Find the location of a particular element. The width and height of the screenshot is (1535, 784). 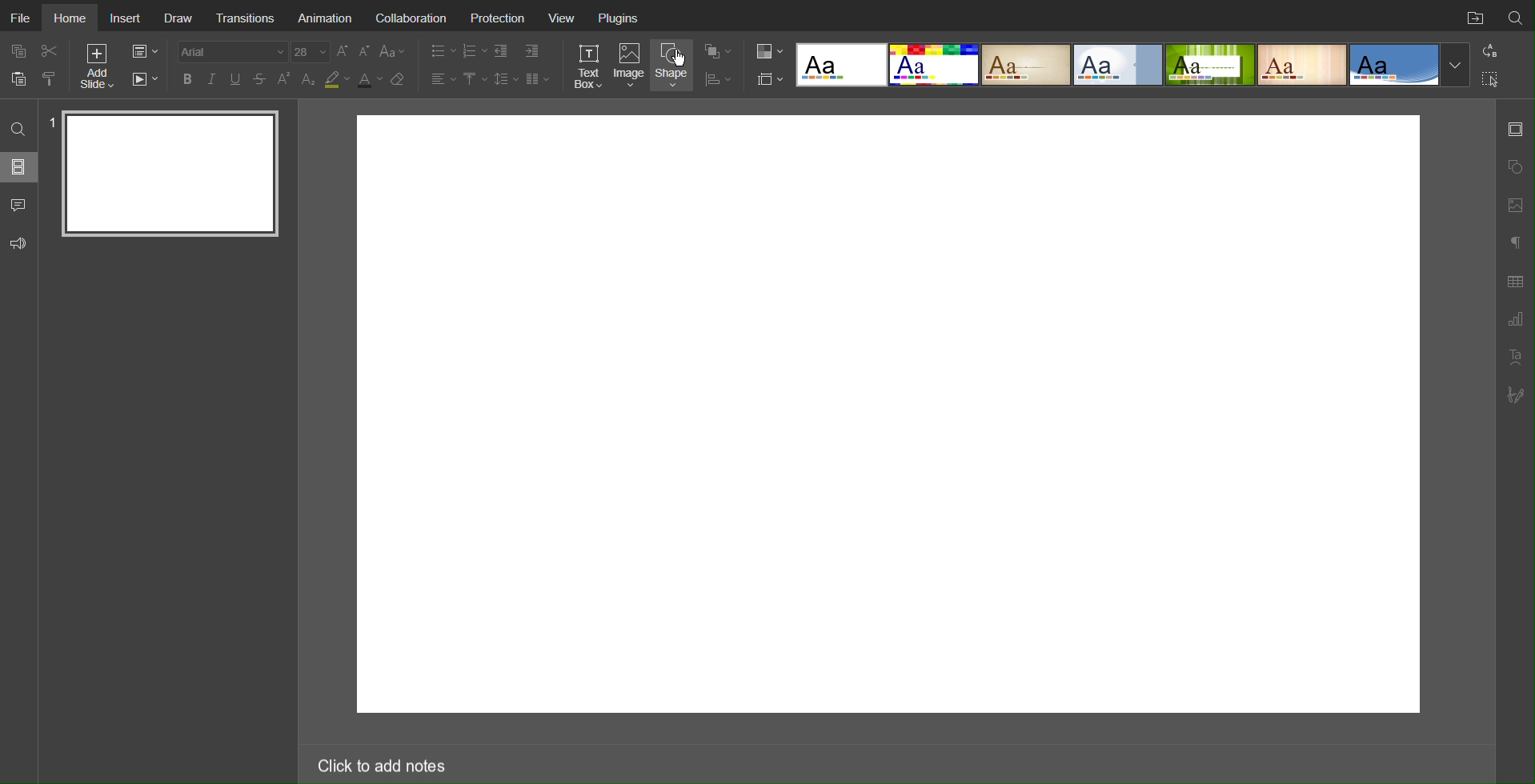

Collaboration is located at coordinates (410, 16).